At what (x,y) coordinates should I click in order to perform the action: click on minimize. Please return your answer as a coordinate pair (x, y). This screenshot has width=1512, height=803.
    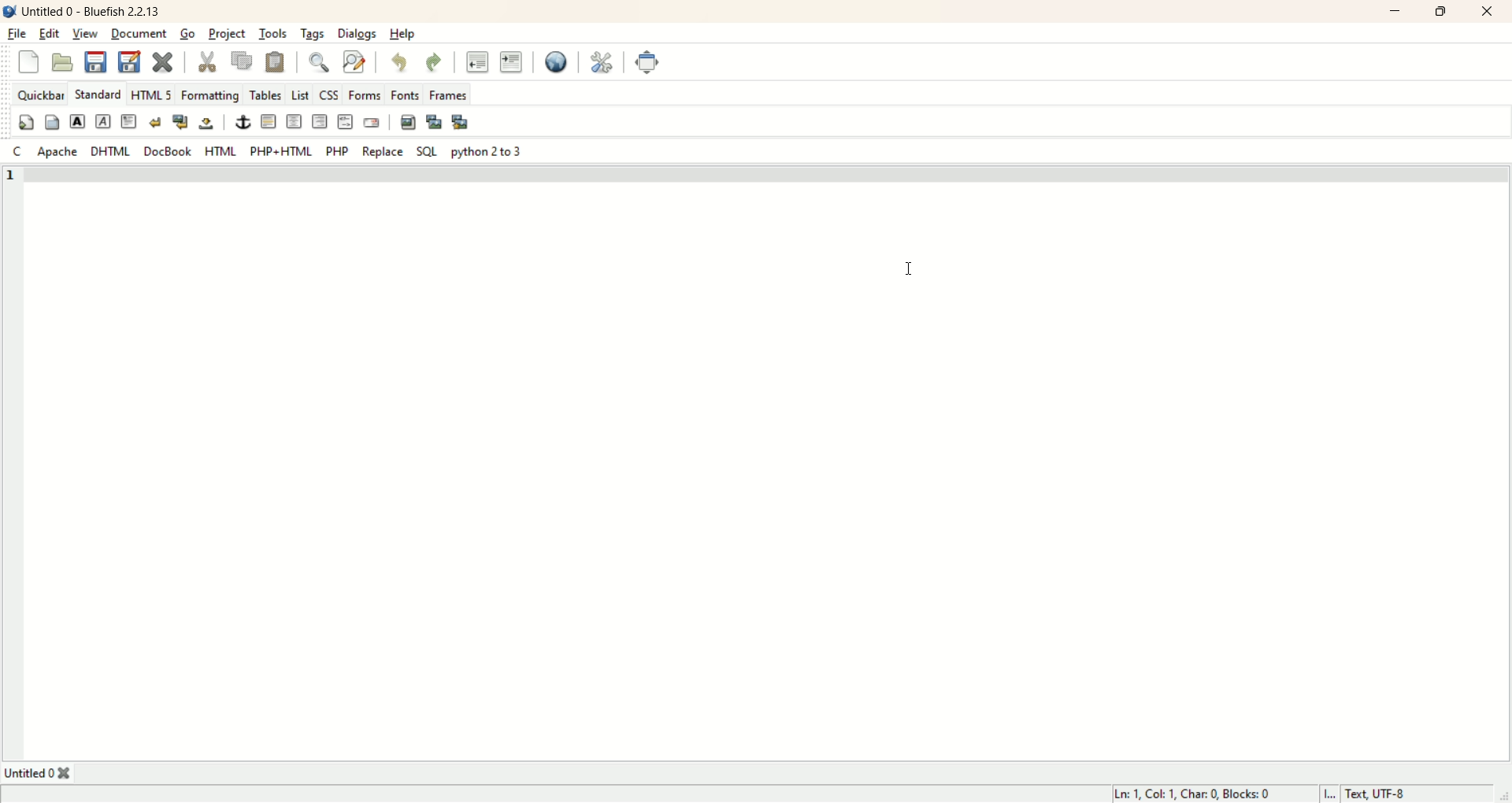
    Looking at the image, I should click on (1397, 12).